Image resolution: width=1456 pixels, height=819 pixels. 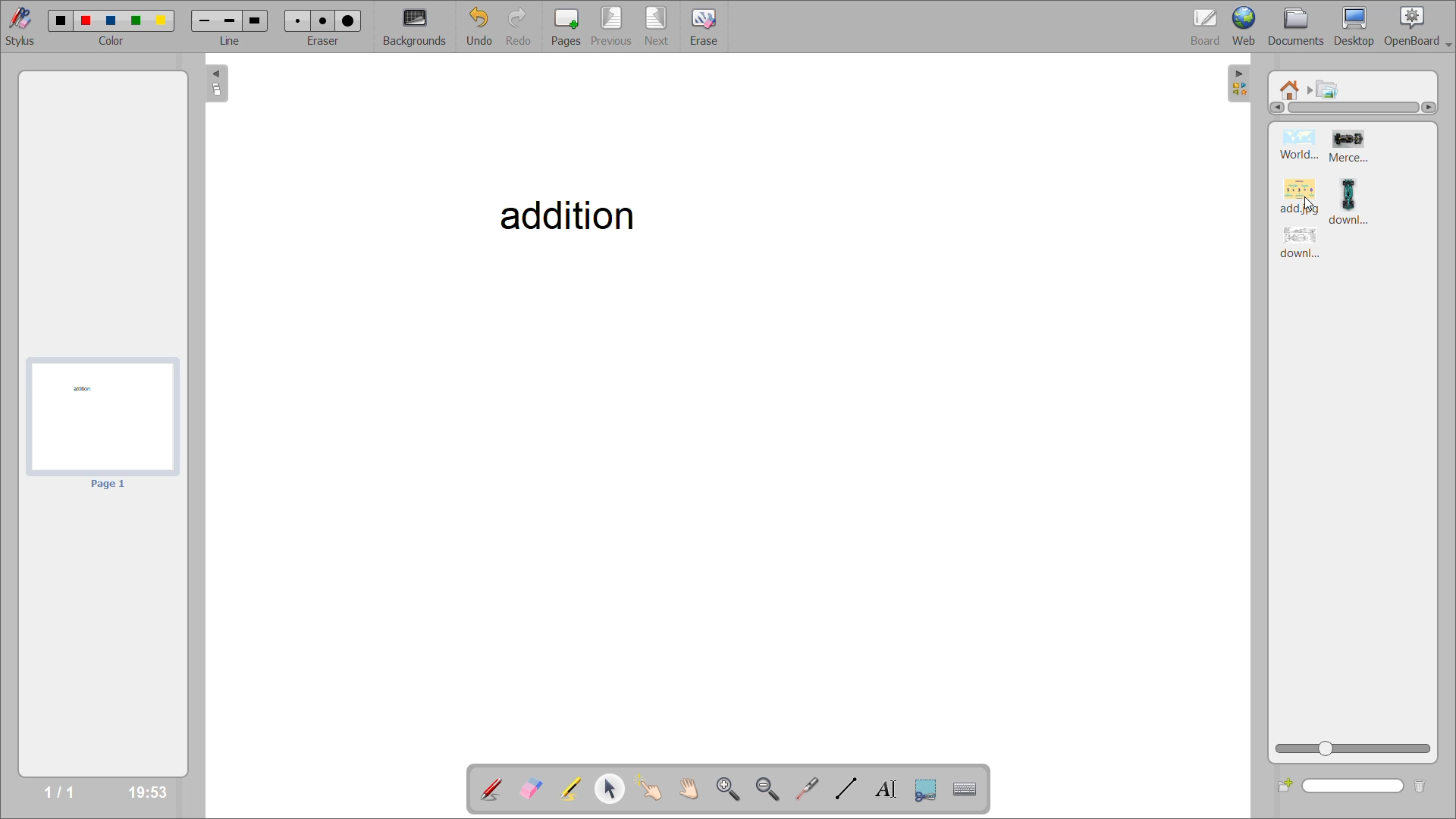 I want to click on image 5, so click(x=1302, y=245).